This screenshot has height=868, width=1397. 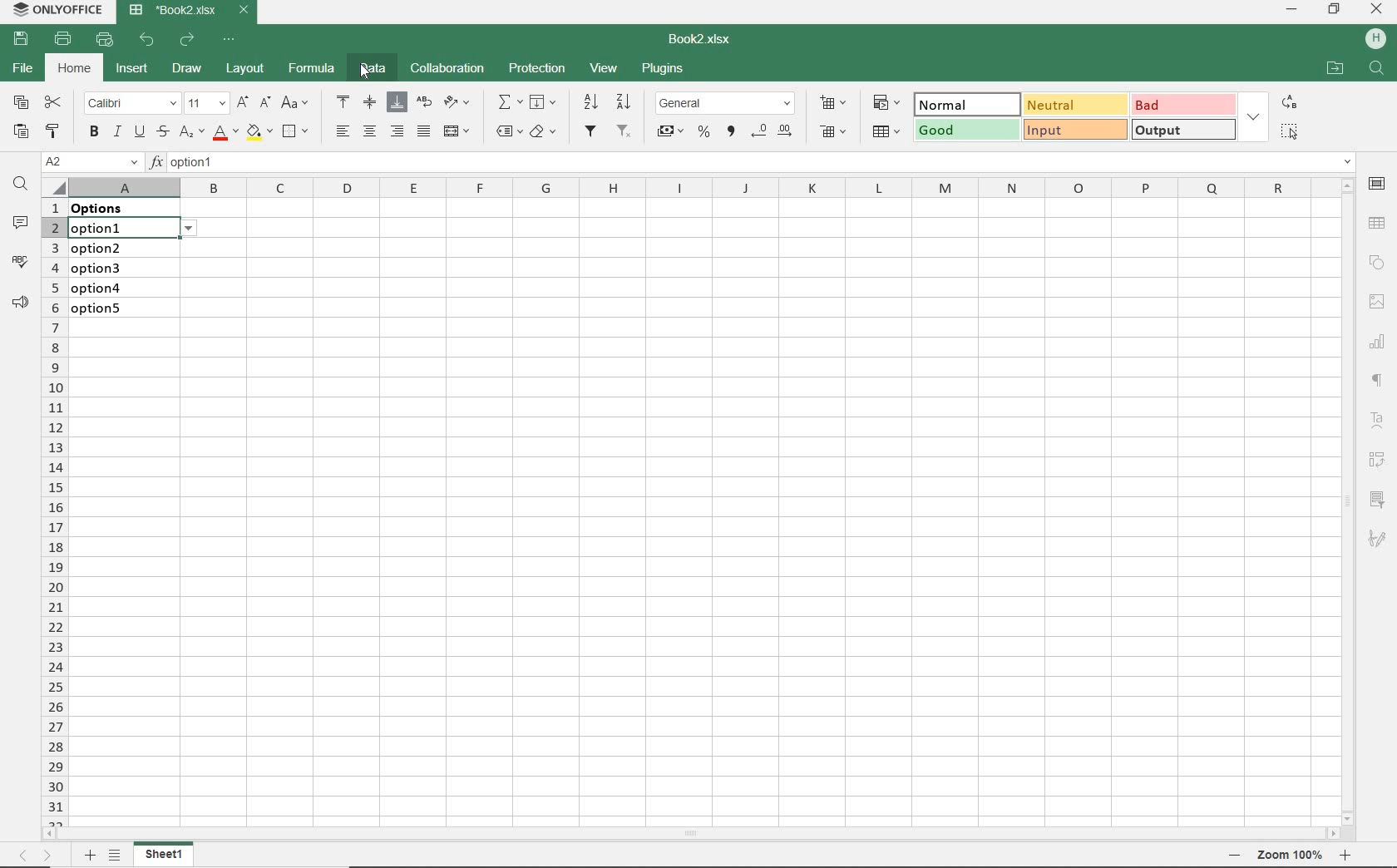 I want to click on UNDO, so click(x=149, y=40).